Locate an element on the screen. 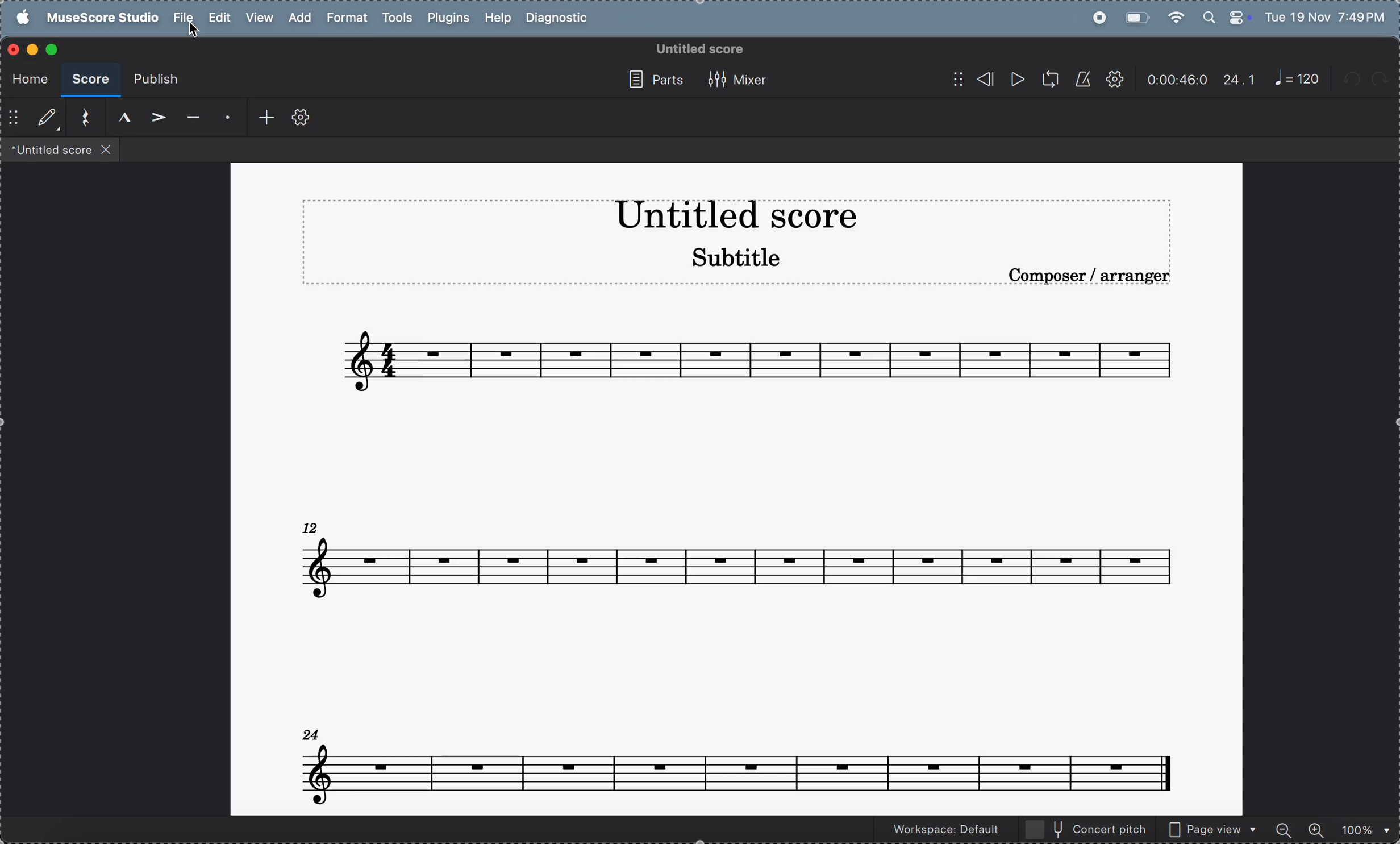 This screenshot has width=1400, height=844. reset is located at coordinates (82, 118).